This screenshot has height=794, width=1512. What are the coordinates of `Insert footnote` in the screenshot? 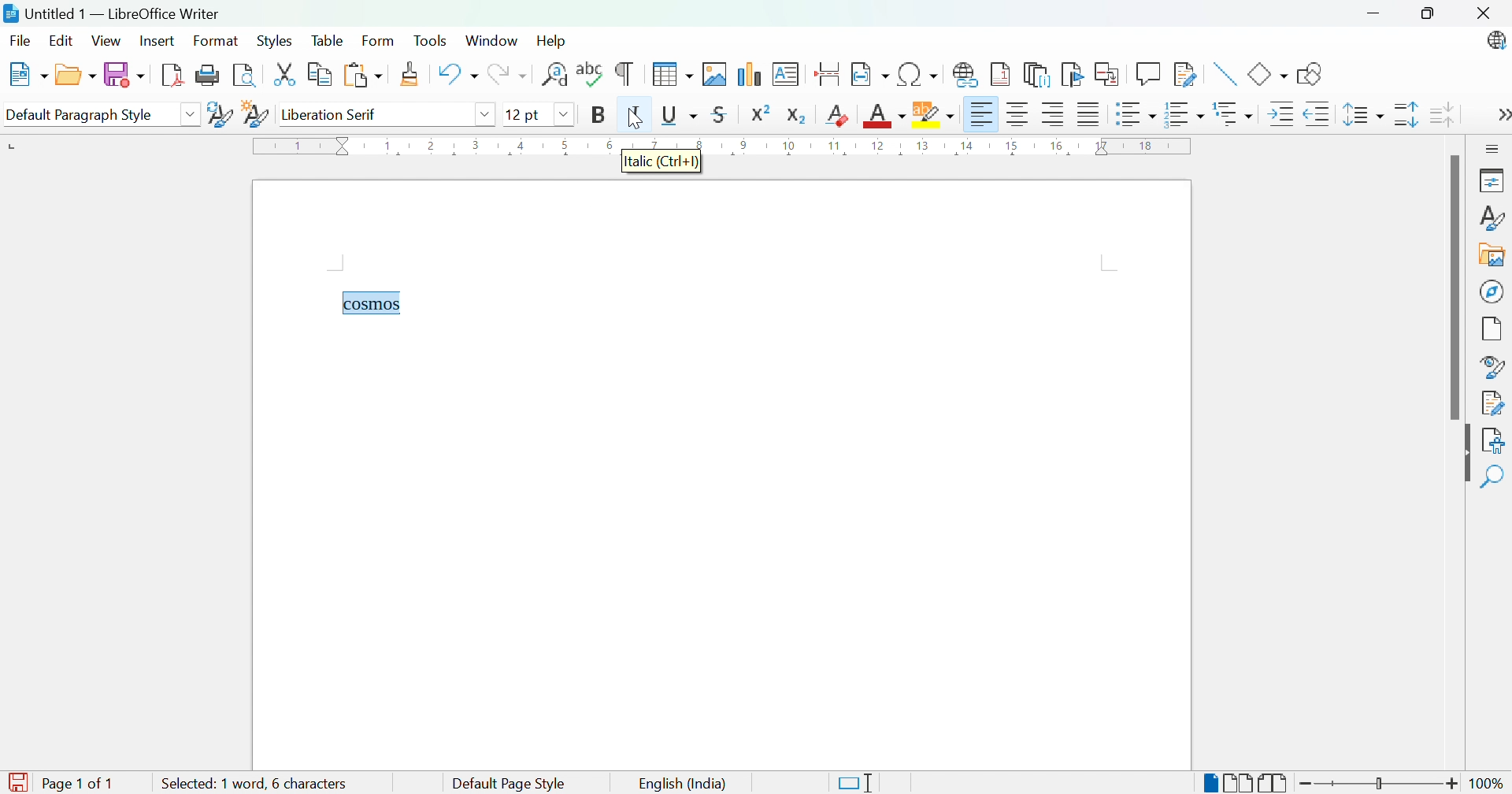 It's located at (1002, 73).